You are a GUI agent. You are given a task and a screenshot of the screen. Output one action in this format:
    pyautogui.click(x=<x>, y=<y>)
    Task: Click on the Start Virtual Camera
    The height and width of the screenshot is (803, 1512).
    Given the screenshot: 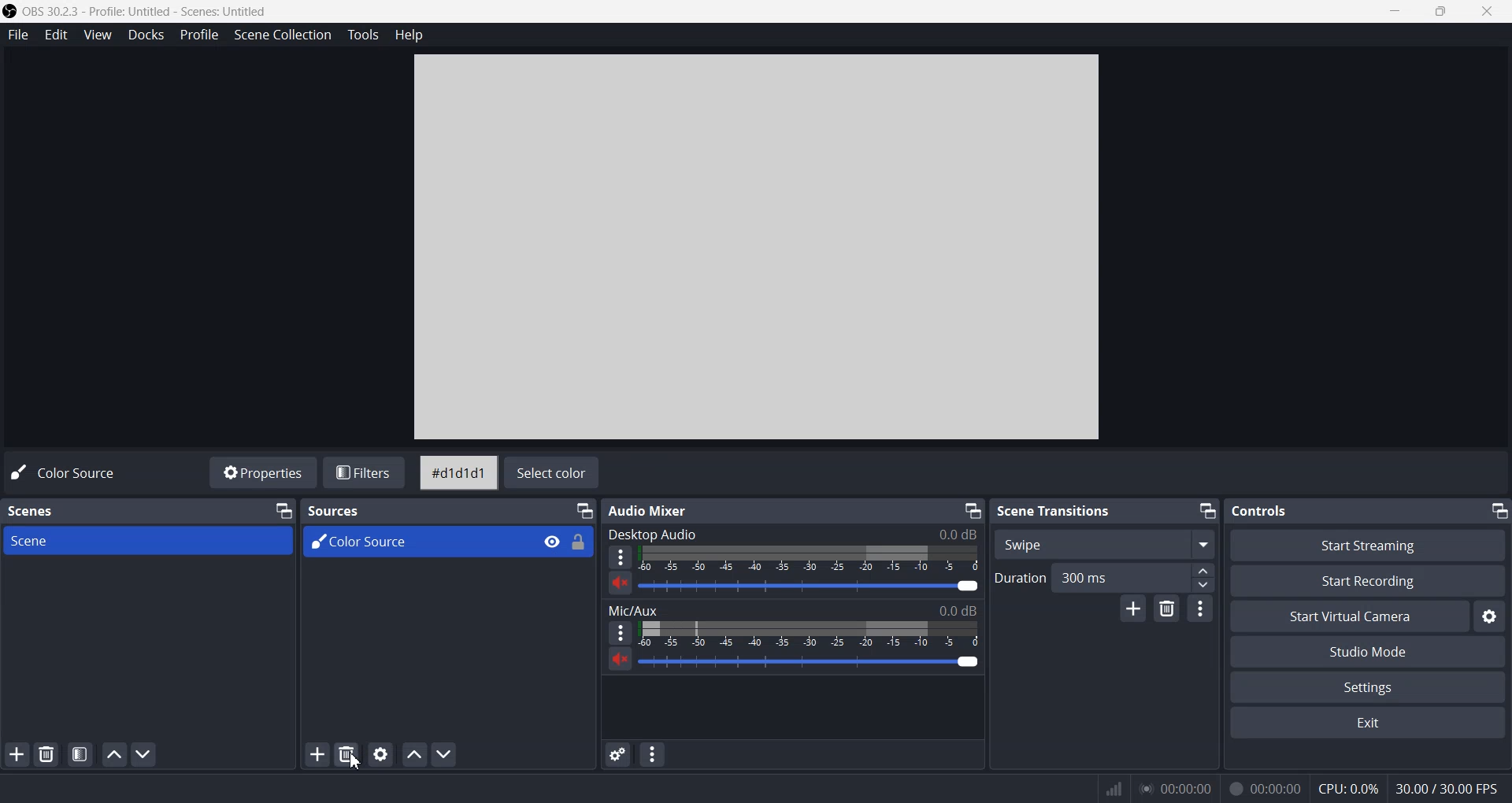 What is the action you would take?
    pyautogui.click(x=1347, y=617)
    